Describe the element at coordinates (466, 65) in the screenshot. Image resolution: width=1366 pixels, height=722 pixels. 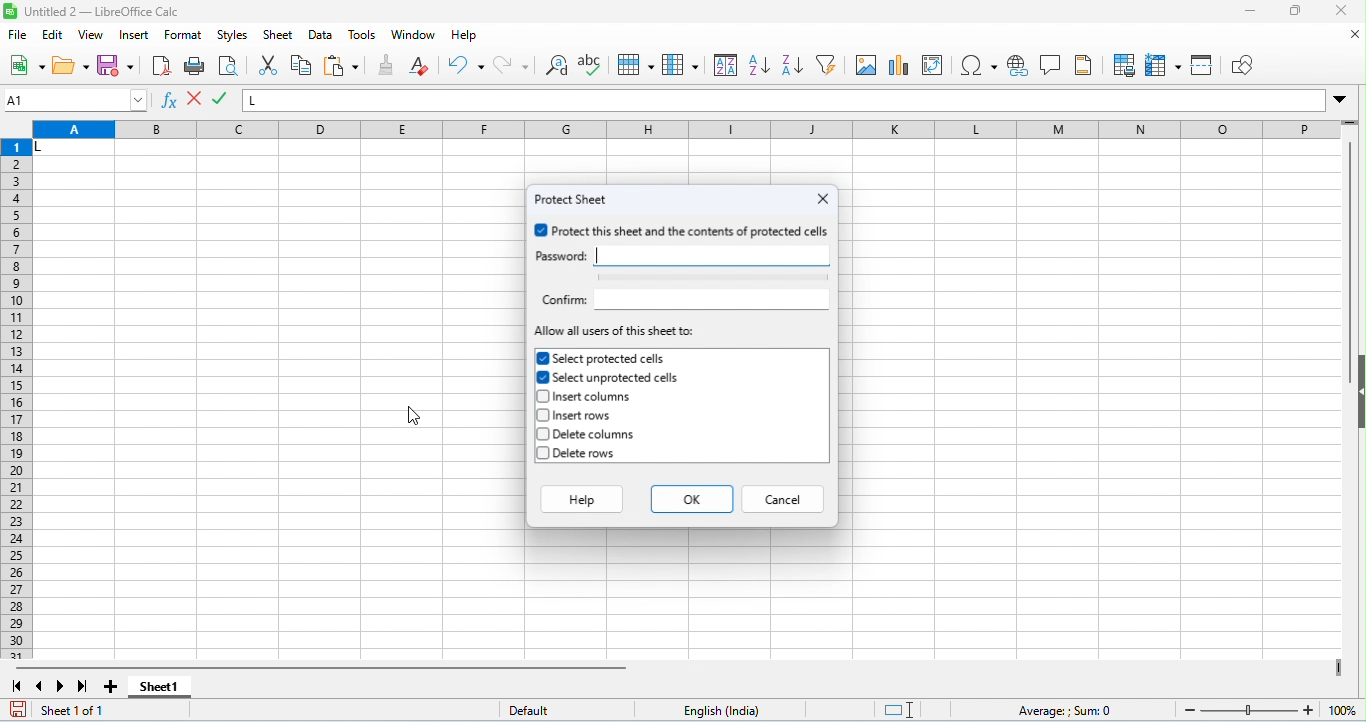
I see `undo ` at that location.